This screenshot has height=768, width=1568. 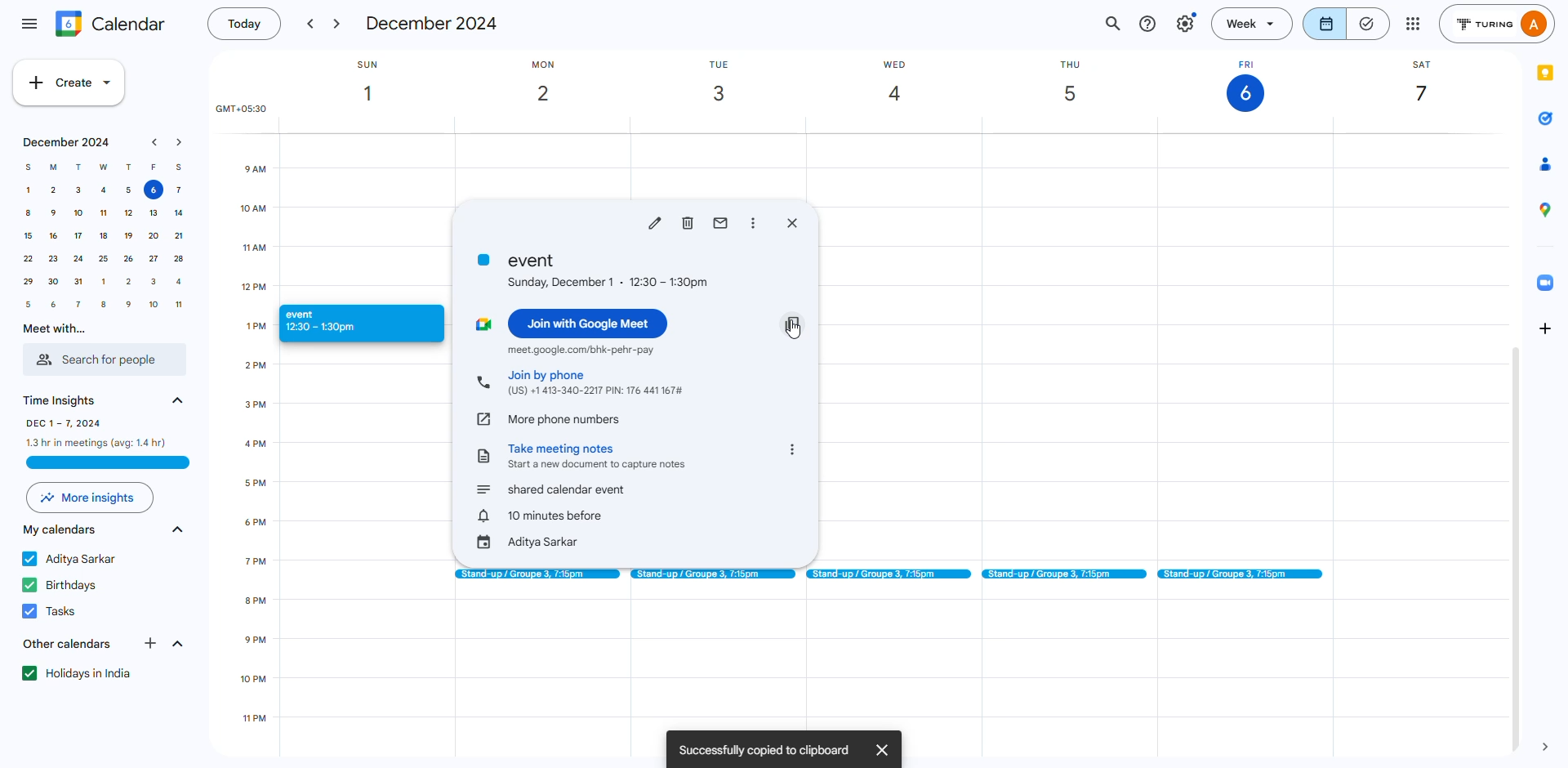 What do you see at coordinates (179, 303) in the screenshot?
I see `11` at bounding box center [179, 303].